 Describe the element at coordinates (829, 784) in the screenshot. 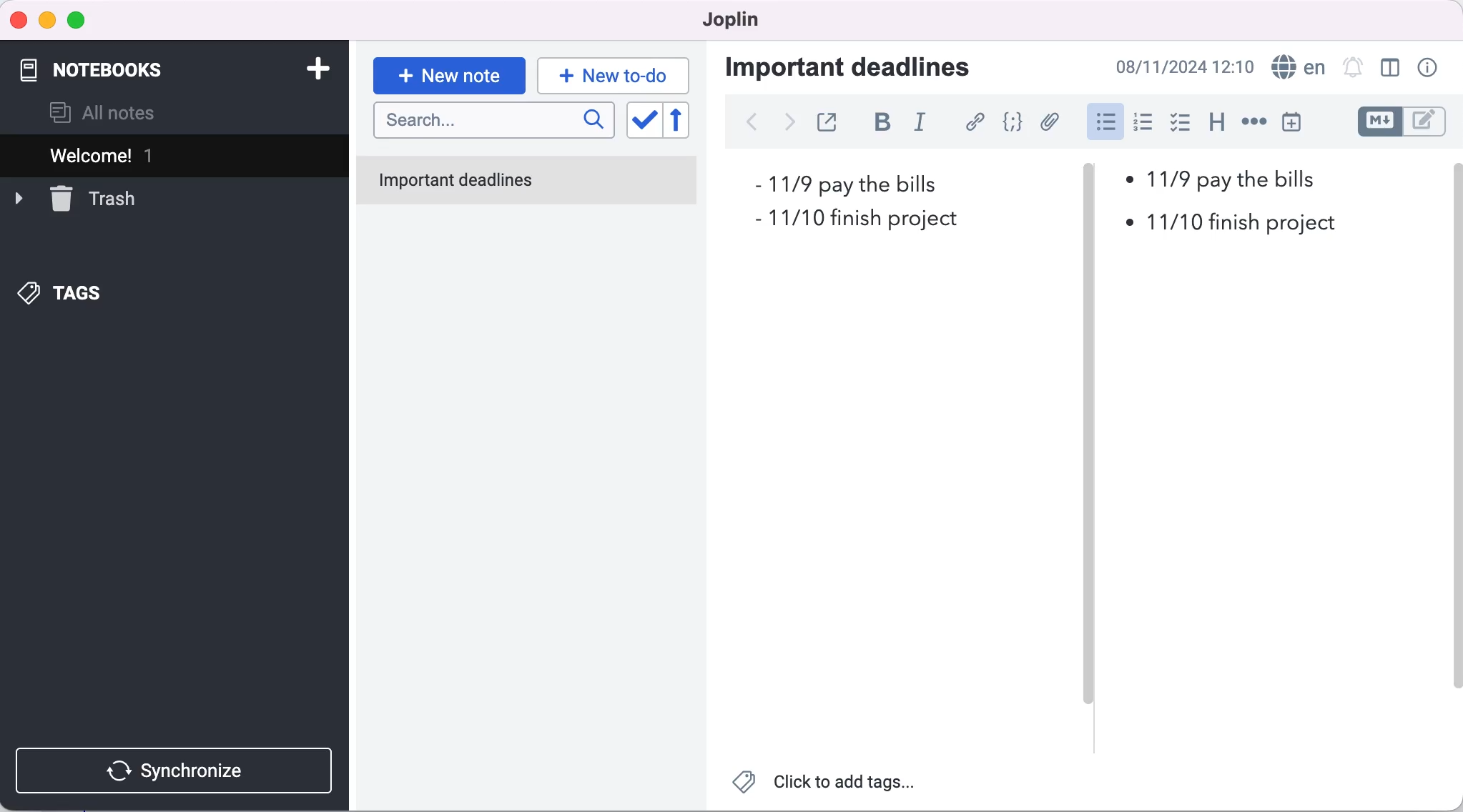

I see `click to add tags` at that location.